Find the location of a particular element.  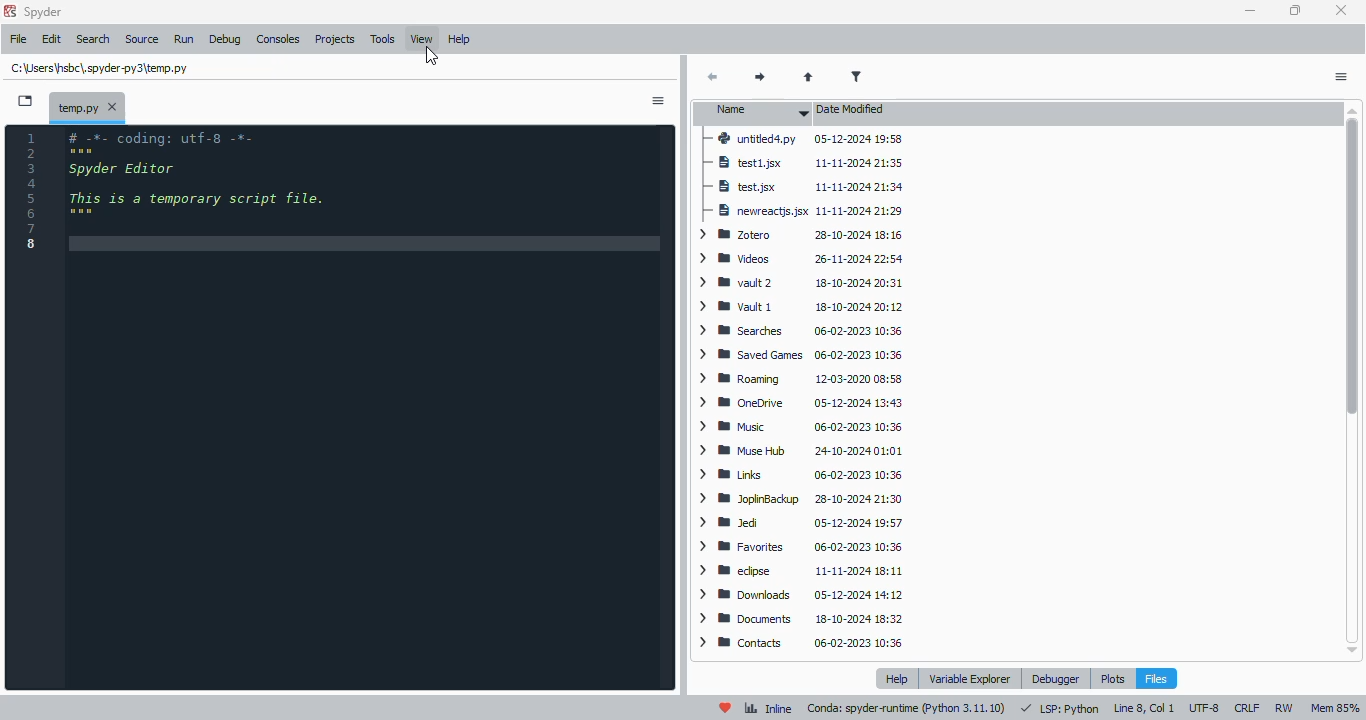

filter filenames is located at coordinates (858, 77).